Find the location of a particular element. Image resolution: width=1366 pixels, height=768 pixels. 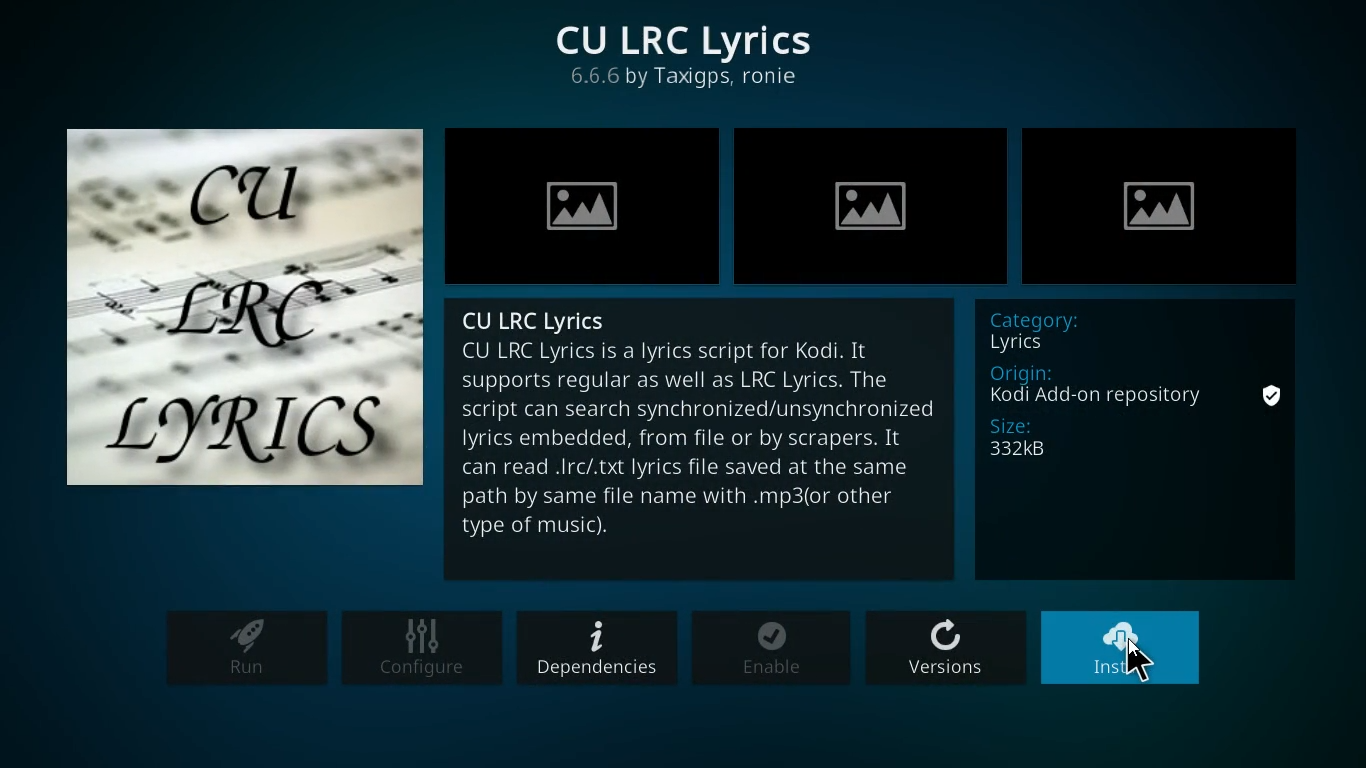

run is located at coordinates (244, 647).